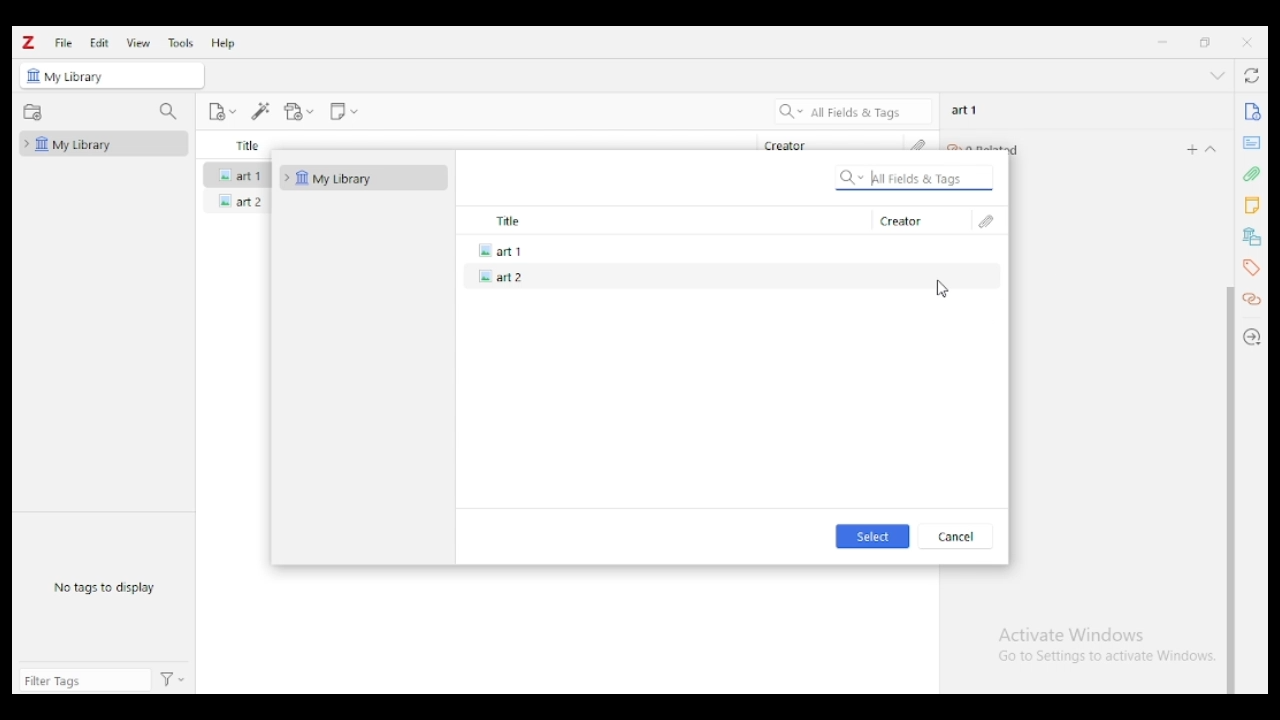  Describe the element at coordinates (919, 221) in the screenshot. I see `creator` at that location.